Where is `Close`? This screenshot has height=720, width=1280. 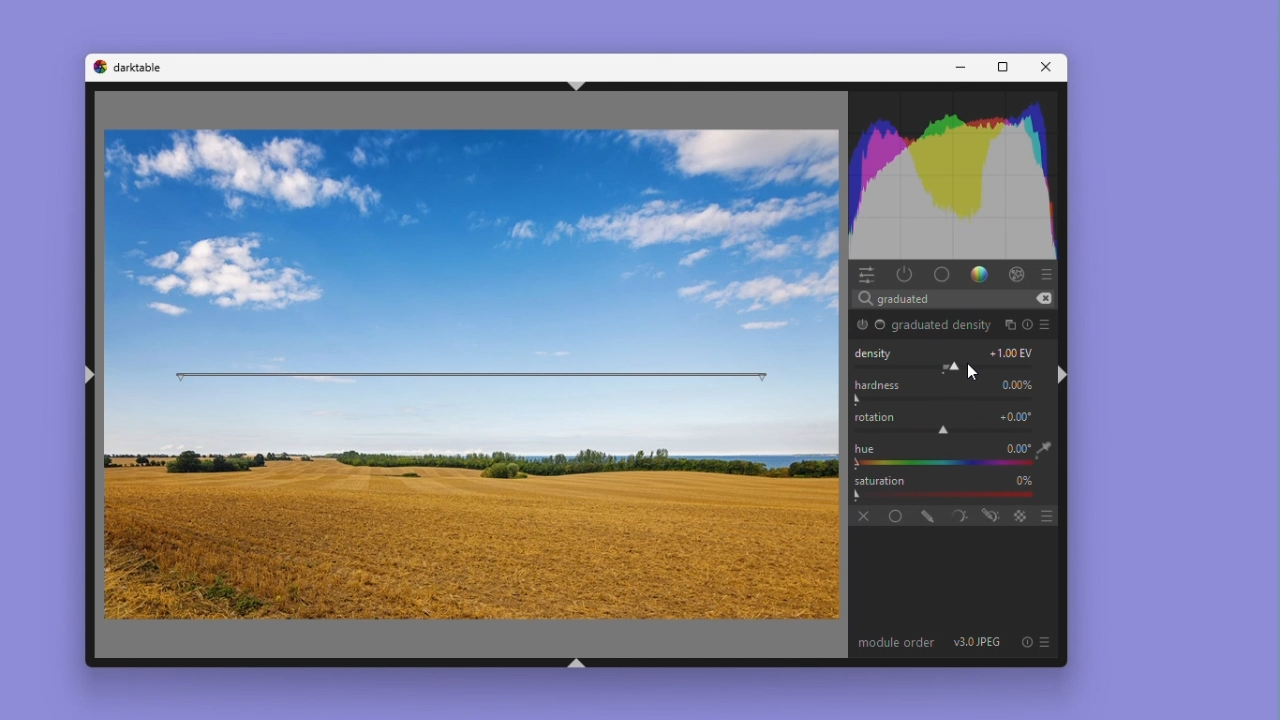
Close is located at coordinates (1043, 67).